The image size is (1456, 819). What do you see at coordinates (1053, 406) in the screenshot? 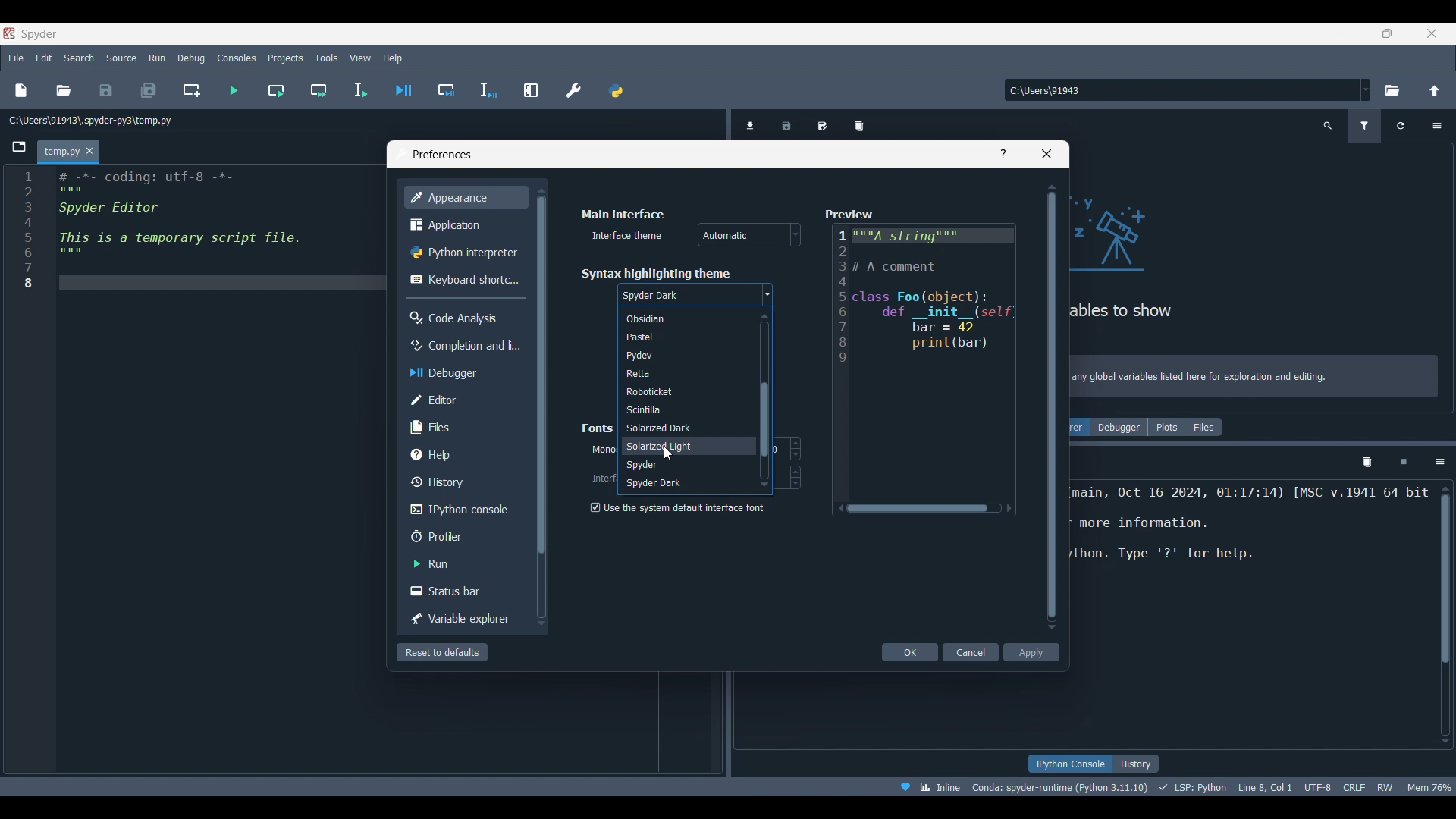
I see `Vertical slide bar` at bounding box center [1053, 406].